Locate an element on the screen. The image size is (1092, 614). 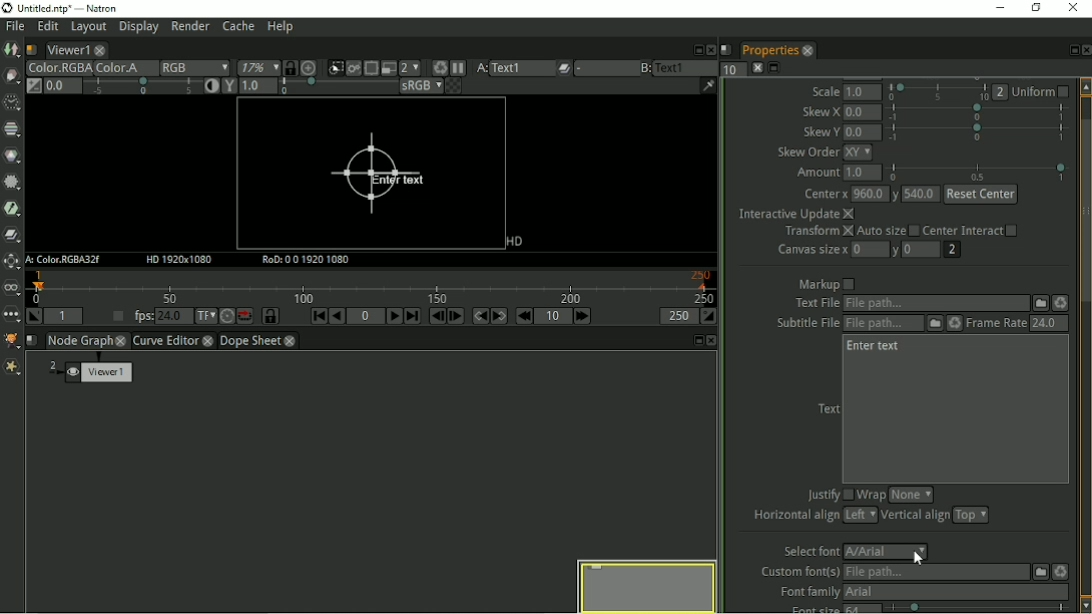
Enable the region of interest that limit the portion of the viewer that is kept updated. is located at coordinates (371, 66).